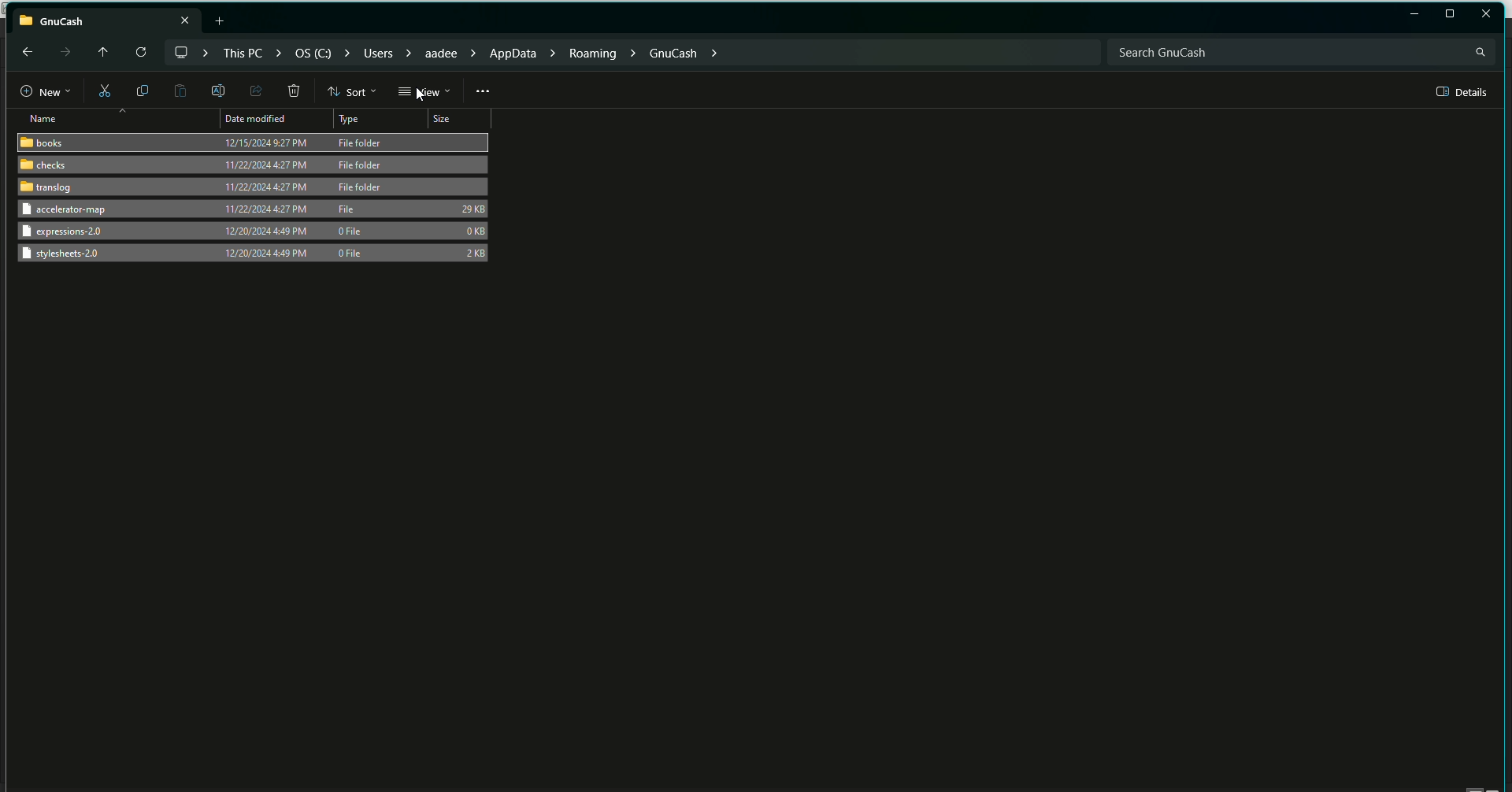 The height and width of the screenshot is (792, 1512). I want to click on accelerator-map, so click(76, 211).